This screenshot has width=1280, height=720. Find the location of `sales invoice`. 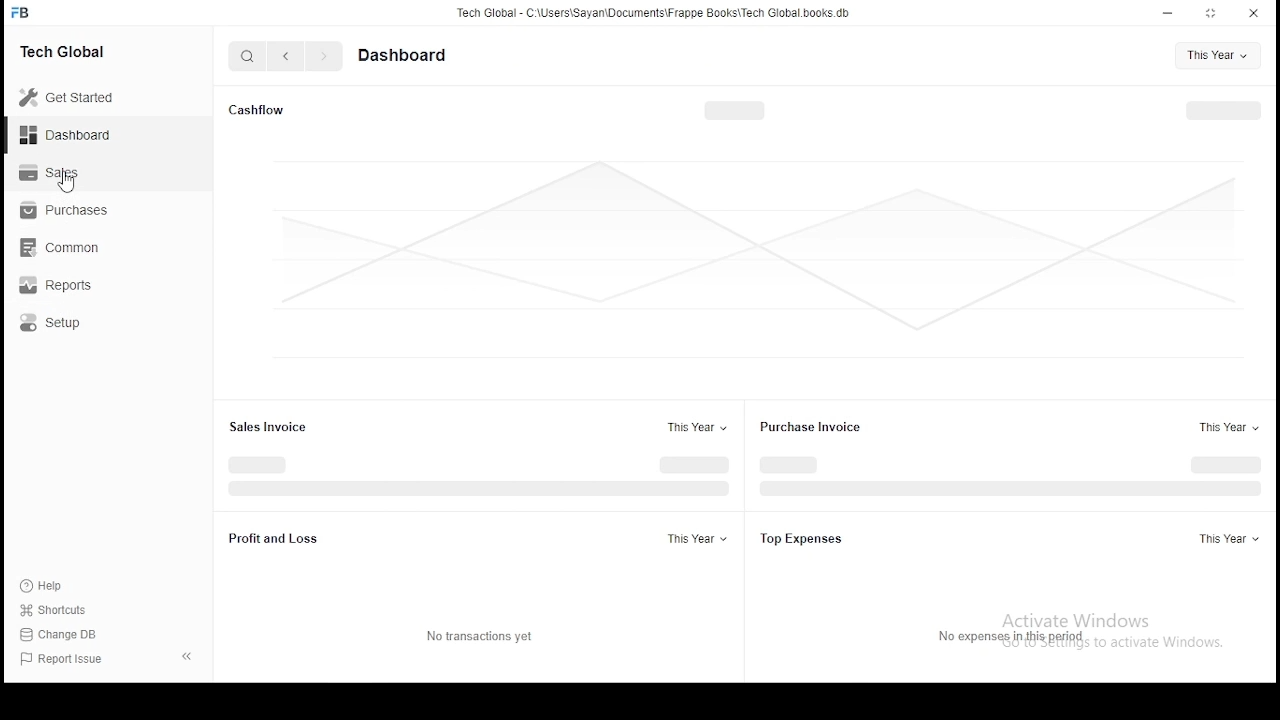

sales invoice is located at coordinates (265, 427).